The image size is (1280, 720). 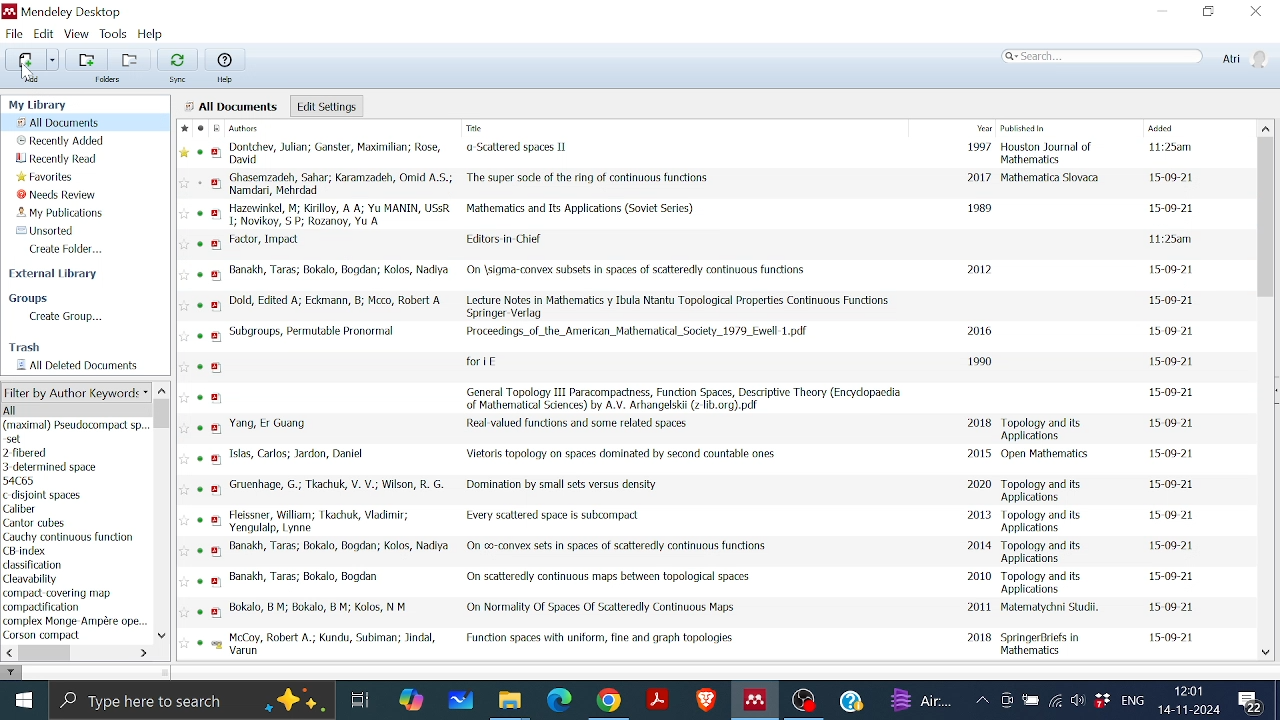 What do you see at coordinates (30, 454) in the screenshot?
I see `author` at bounding box center [30, 454].